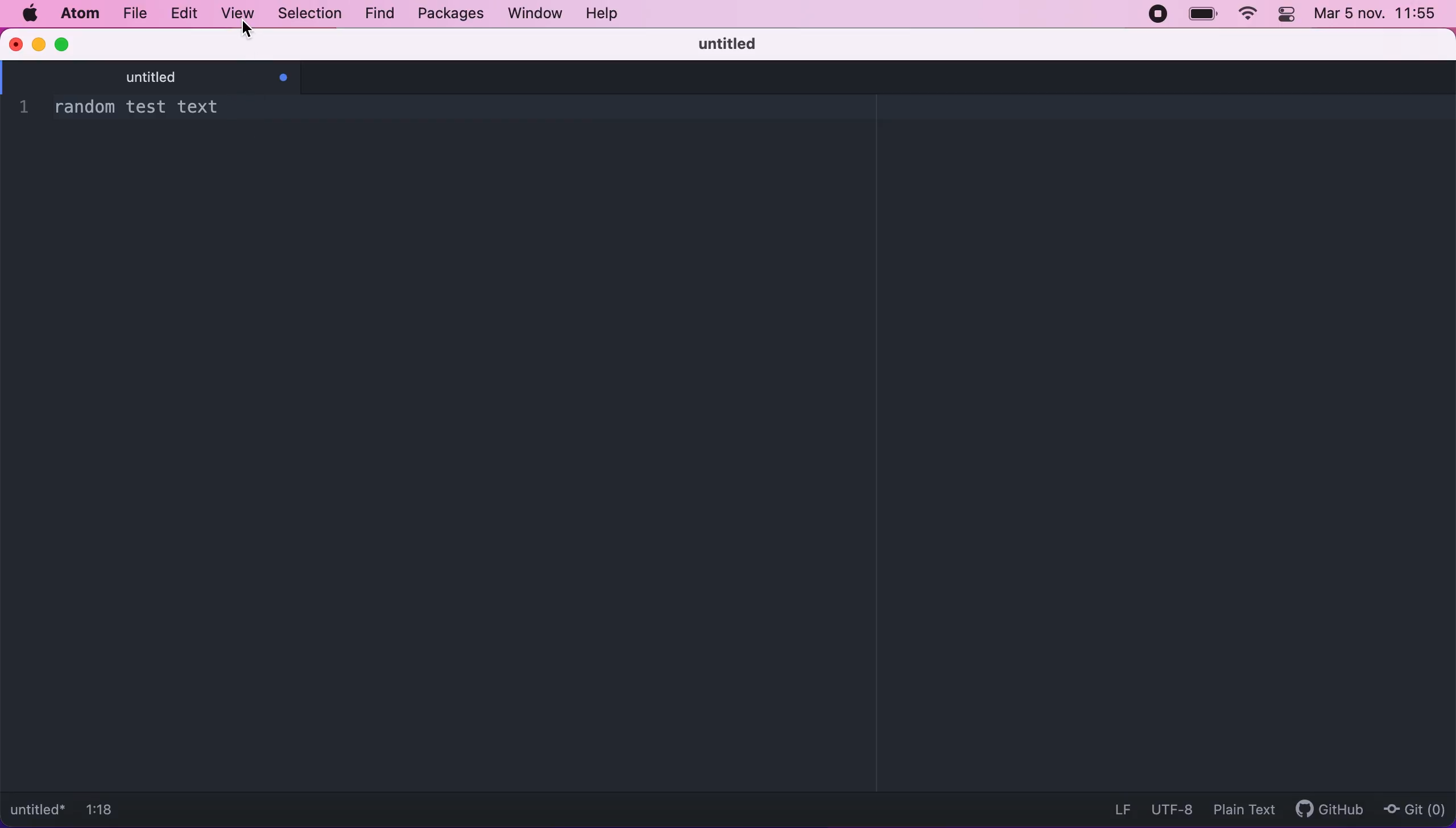  Describe the element at coordinates (1118, 808) in the screenshot. I see `LF` at that location.